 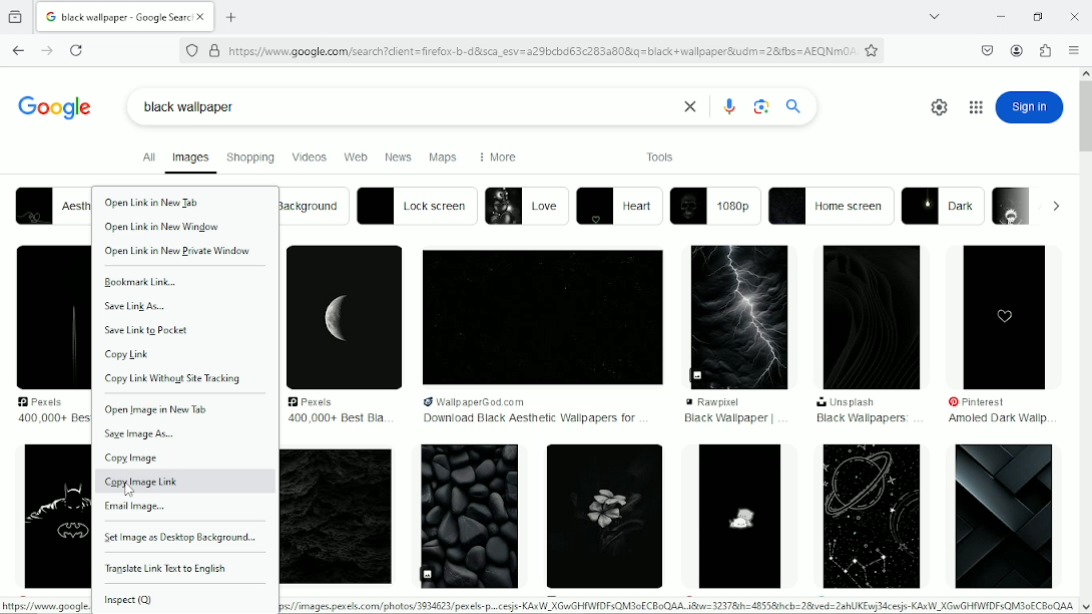 I want to click on copy link, so click(x=128, y=355).